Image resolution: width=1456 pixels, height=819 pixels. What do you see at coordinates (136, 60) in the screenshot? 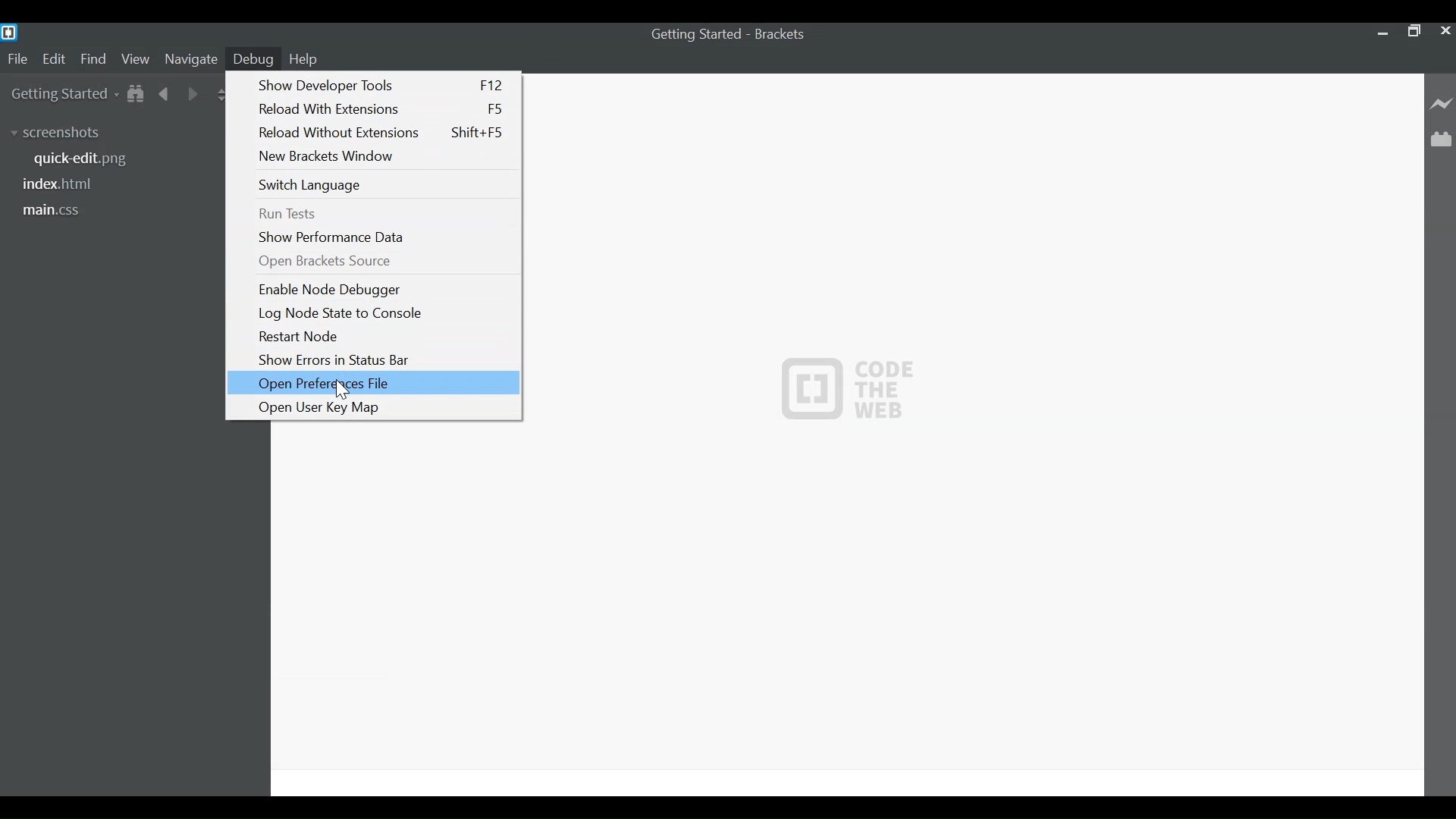
I see `View` at bounding box center [136, 60].